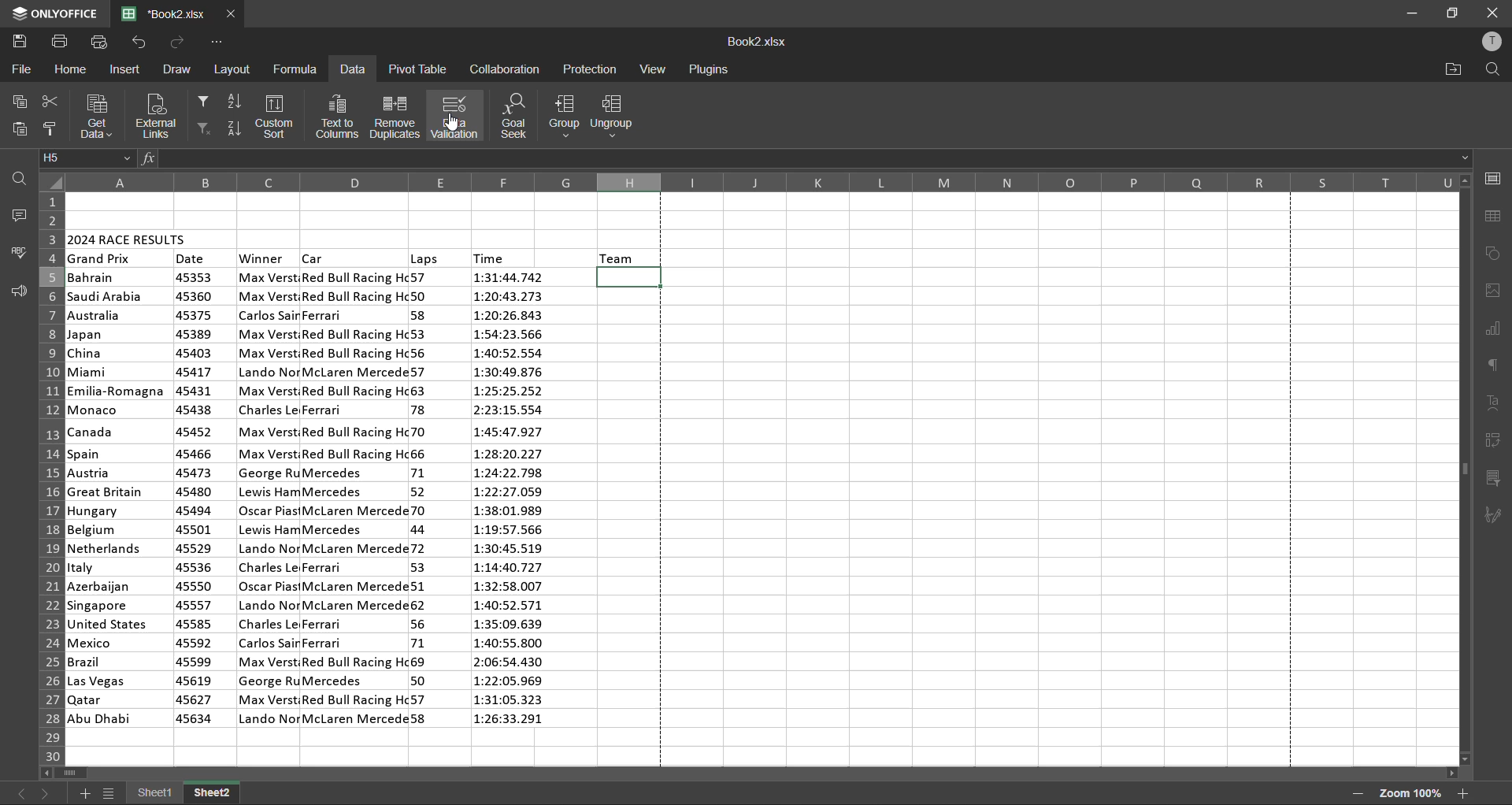 The width and height of the screenshot is (1512, 805). I want to click on country names, so click(117, 498).